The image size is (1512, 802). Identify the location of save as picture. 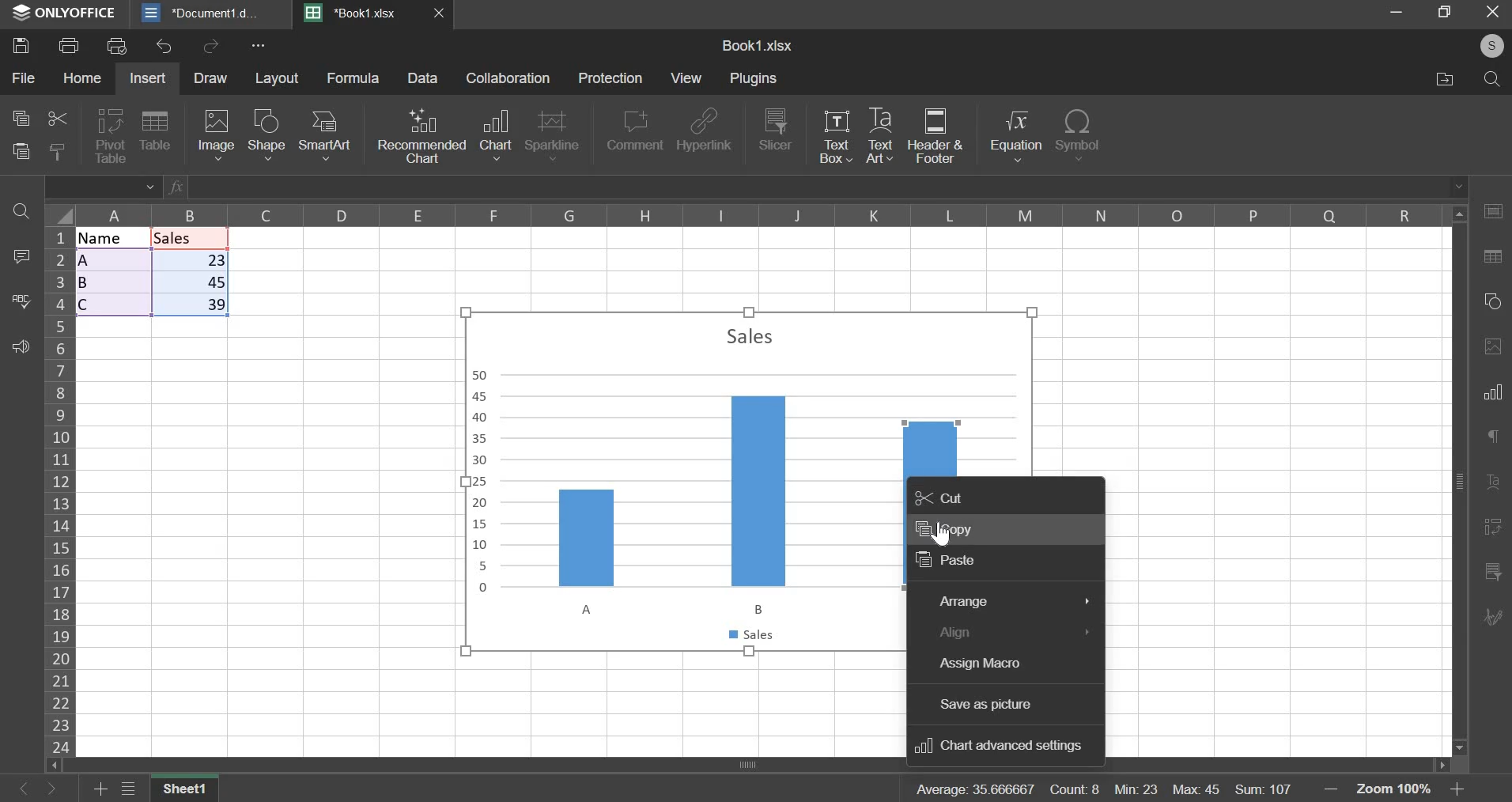
(983, 702).